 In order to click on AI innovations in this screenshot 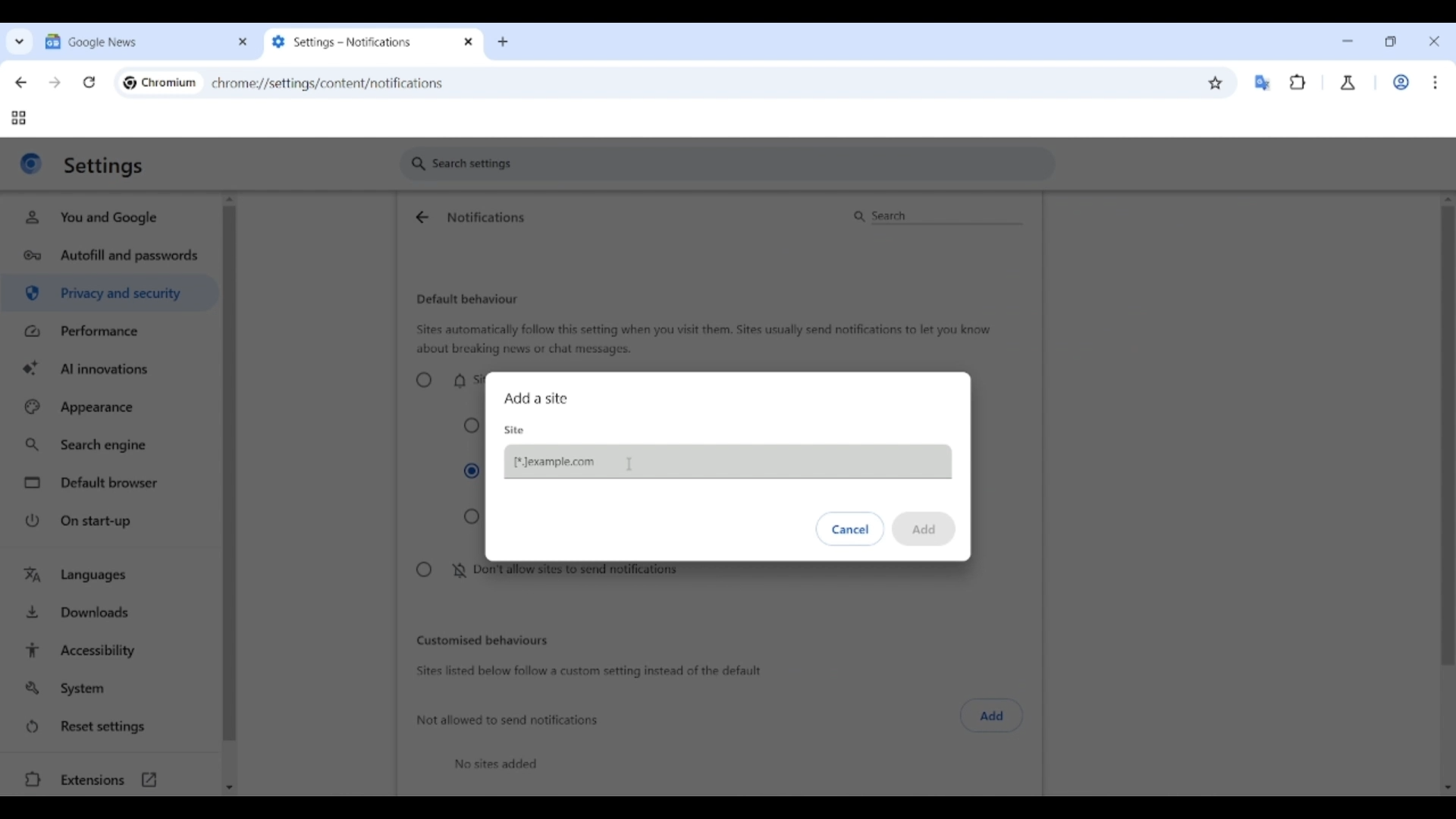, I will do `click(111, 367)`.